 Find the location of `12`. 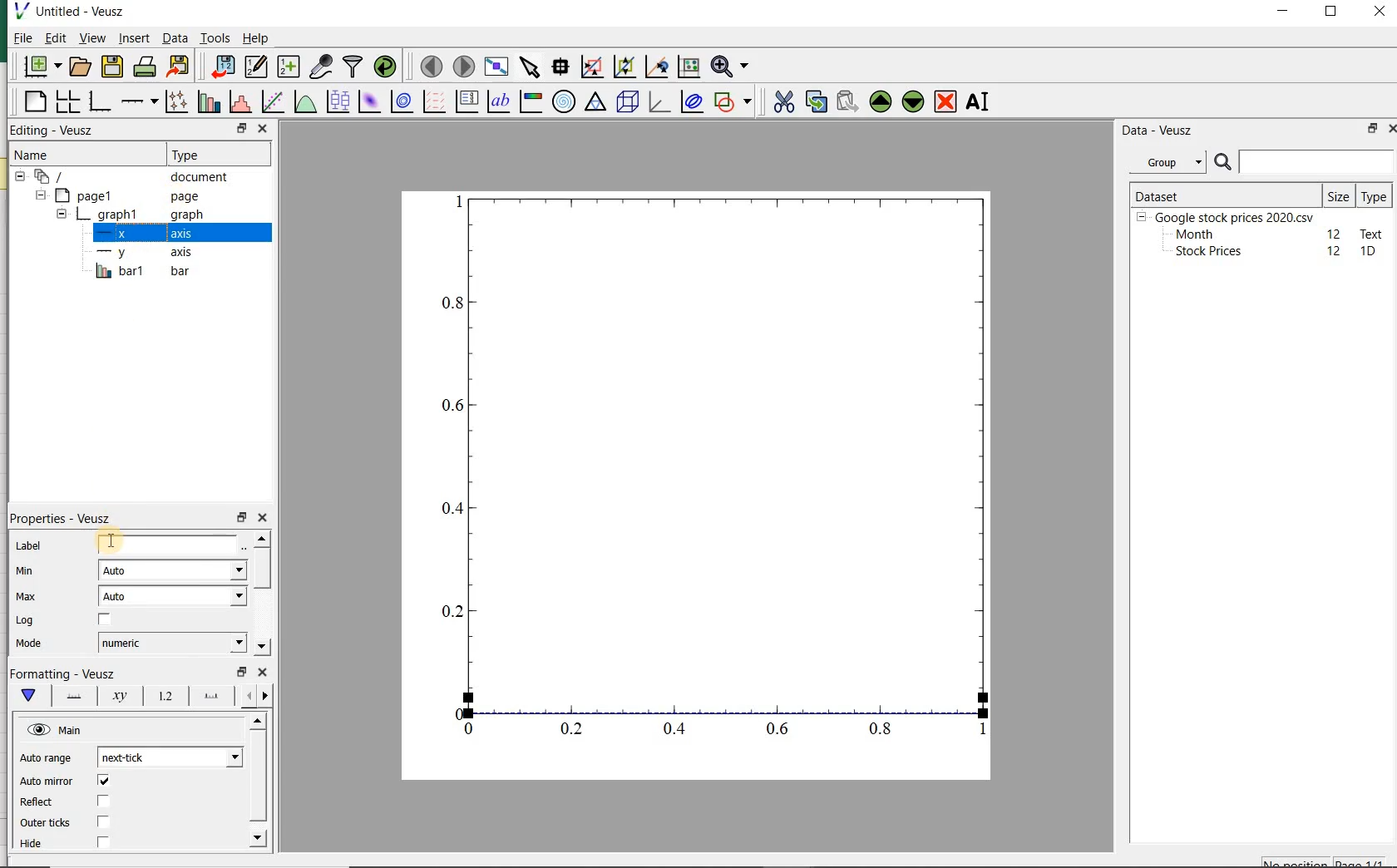

12 is located at coordinates (1335, 251).